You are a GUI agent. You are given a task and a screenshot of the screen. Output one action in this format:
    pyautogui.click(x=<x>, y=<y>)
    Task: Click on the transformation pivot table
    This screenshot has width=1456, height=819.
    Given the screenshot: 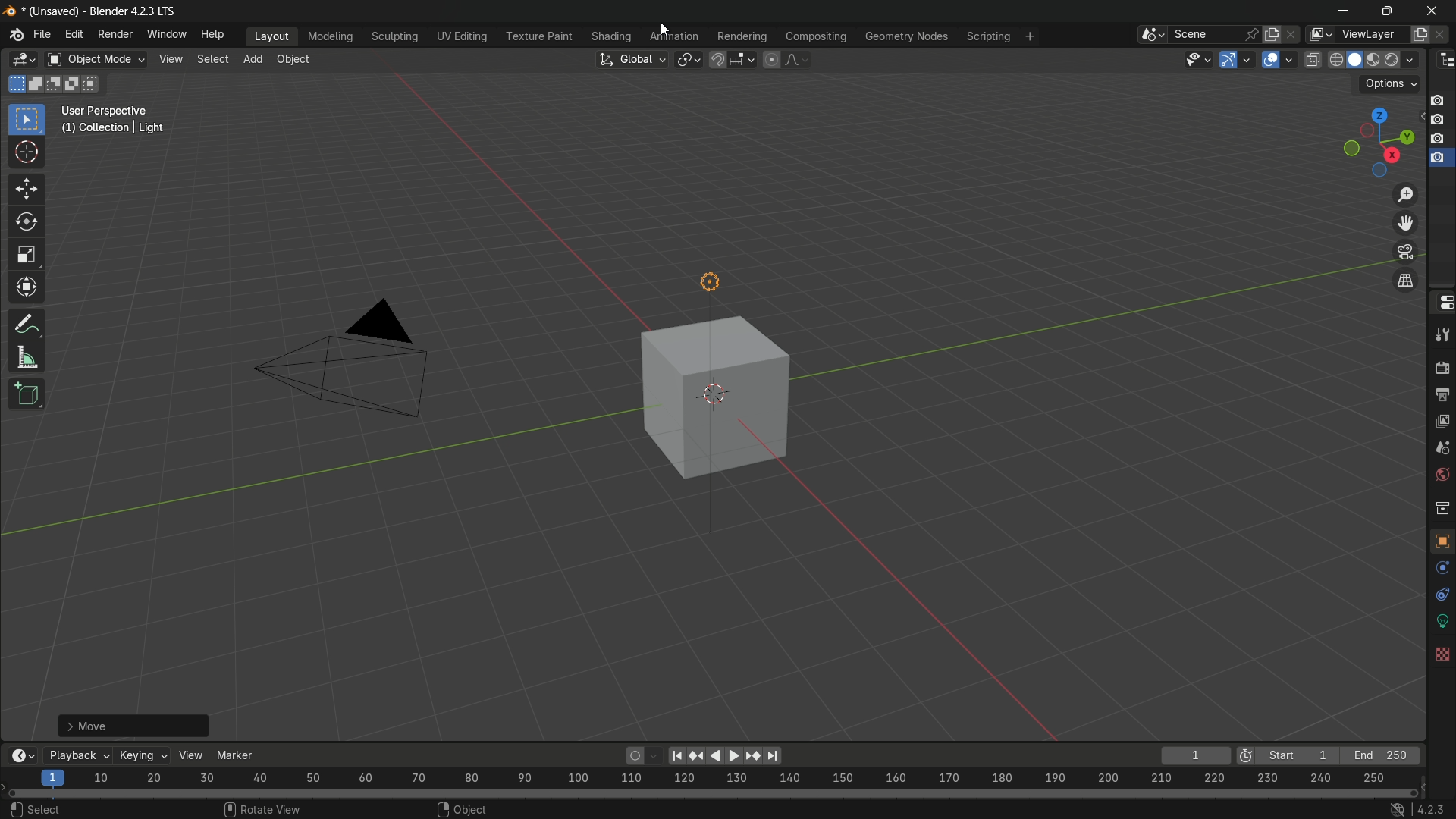 What is the action you would take?
    pyautogui.click(x=689, y=58)
    